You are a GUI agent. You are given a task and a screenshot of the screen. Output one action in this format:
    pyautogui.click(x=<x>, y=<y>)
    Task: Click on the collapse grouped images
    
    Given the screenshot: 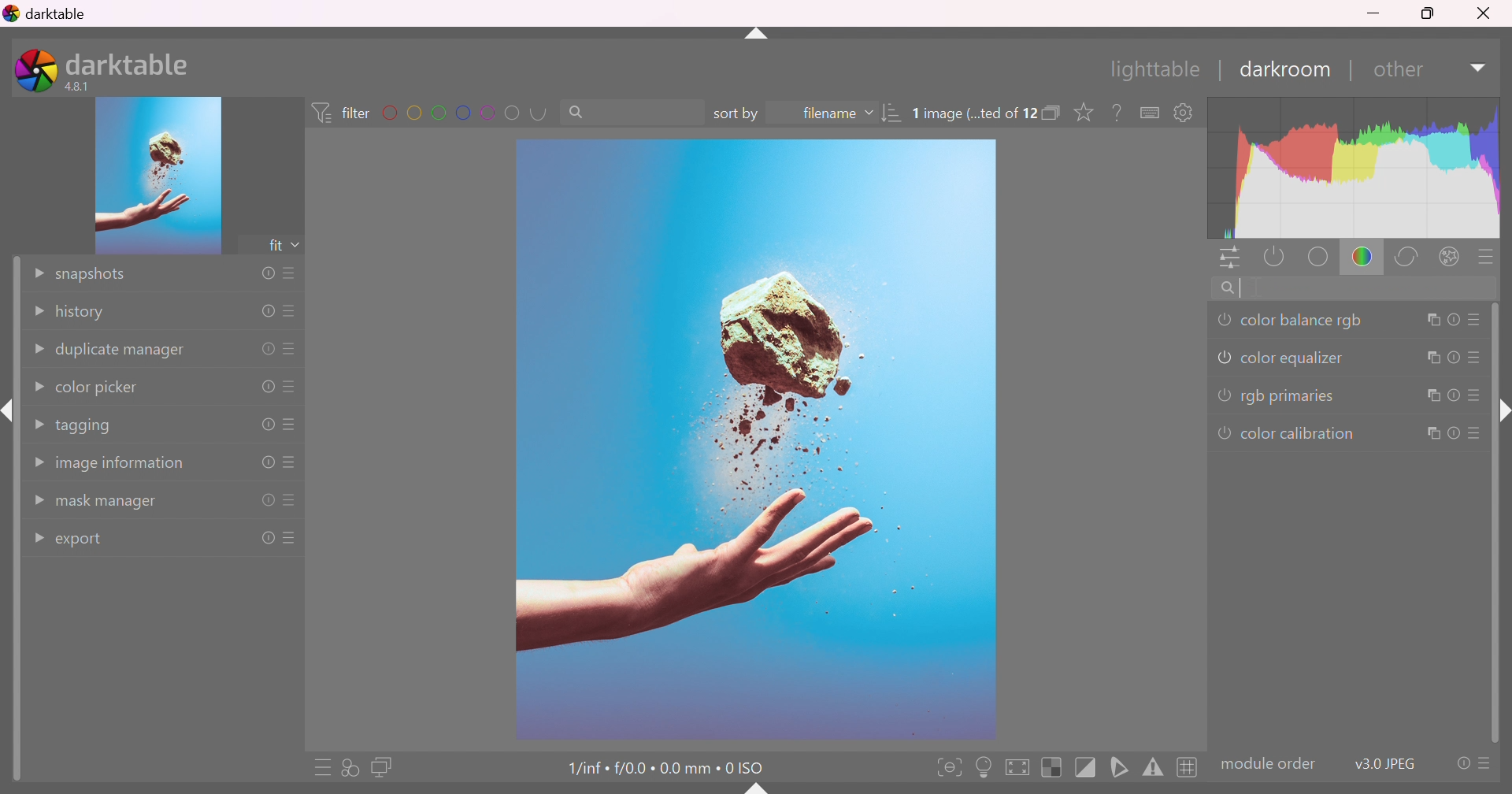 What is the action you would take?
    pyautogui.click(x=1053, y=110)
    